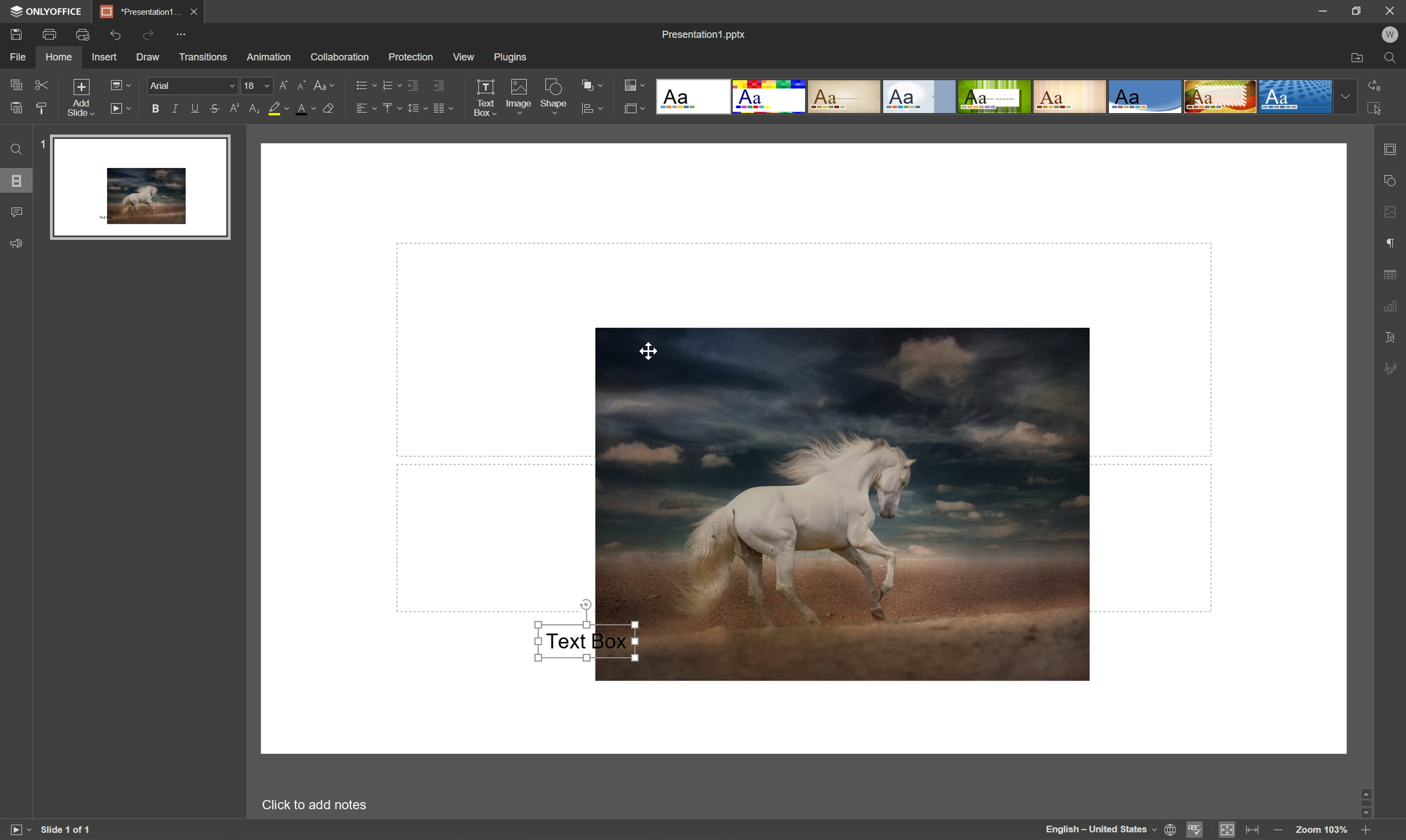 This screenshot has width=1406, height=840. What do you see at coordinates (1368, 800) in the screenshot?
I see `Scroll Bar` at bounding box center [1368, 800].